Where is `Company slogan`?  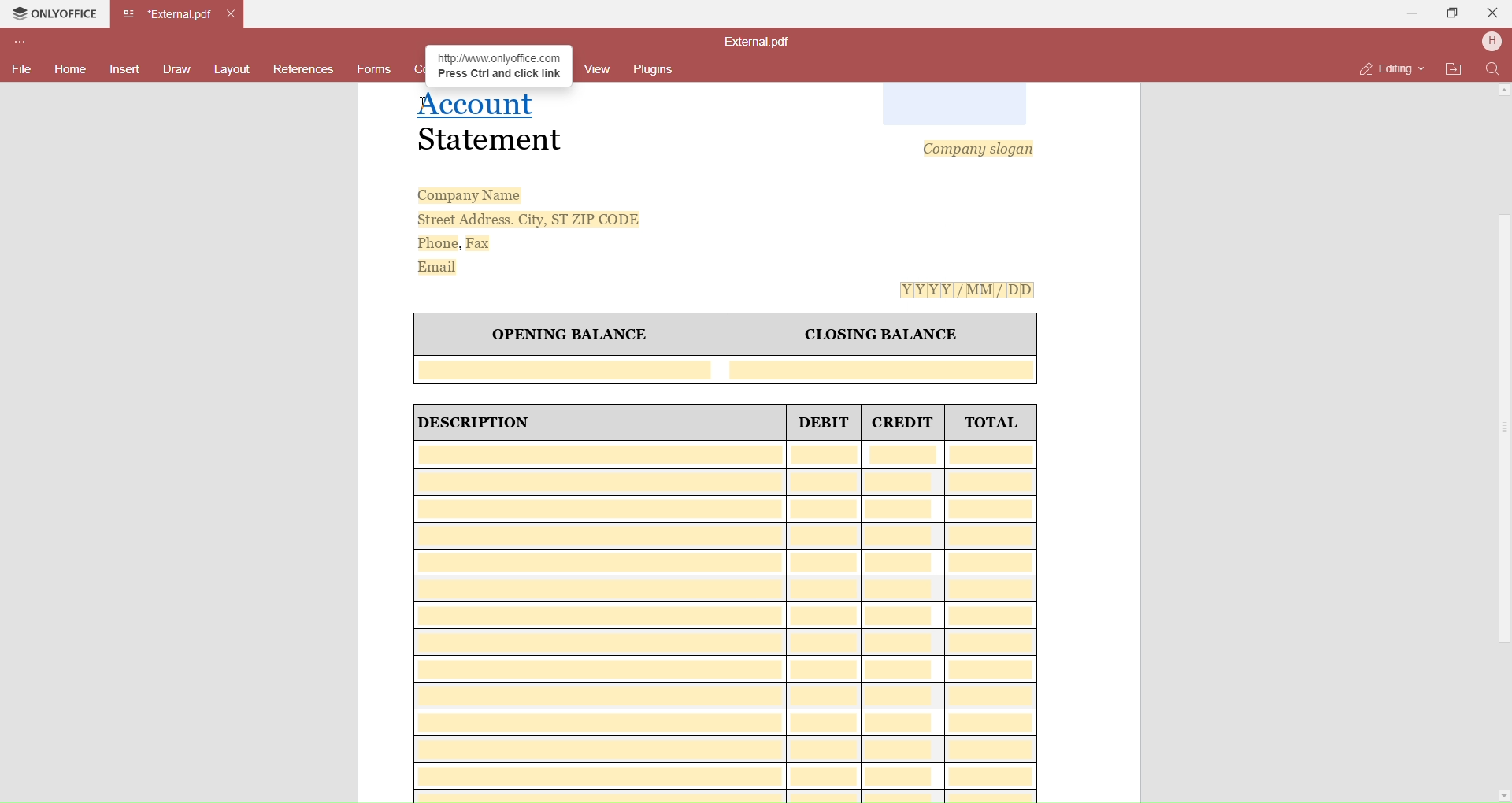
Company slogan is located at coordinates (980, 147).